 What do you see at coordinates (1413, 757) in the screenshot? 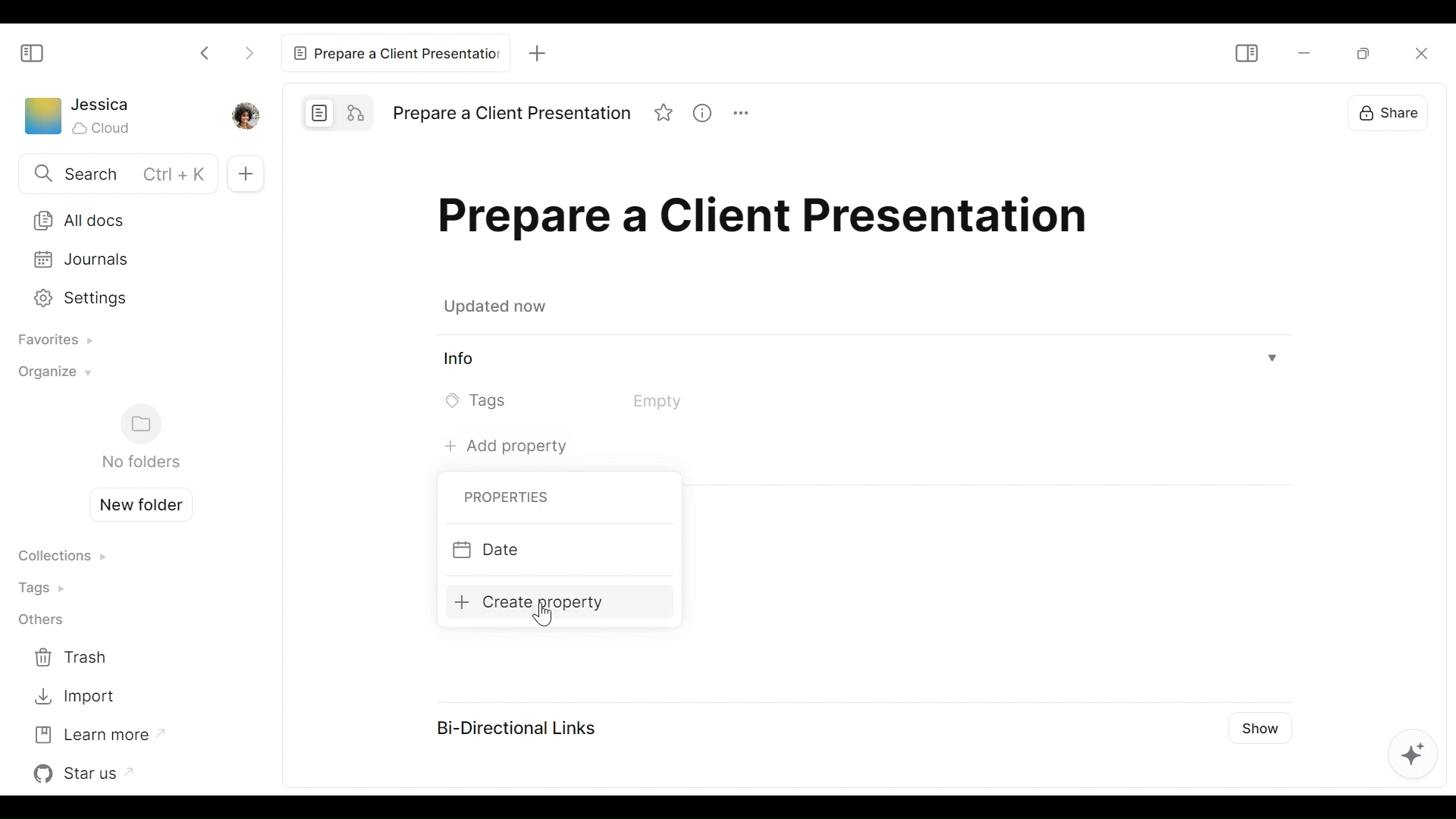
I see `Editing Tools` at bounding box center [1413, 757].